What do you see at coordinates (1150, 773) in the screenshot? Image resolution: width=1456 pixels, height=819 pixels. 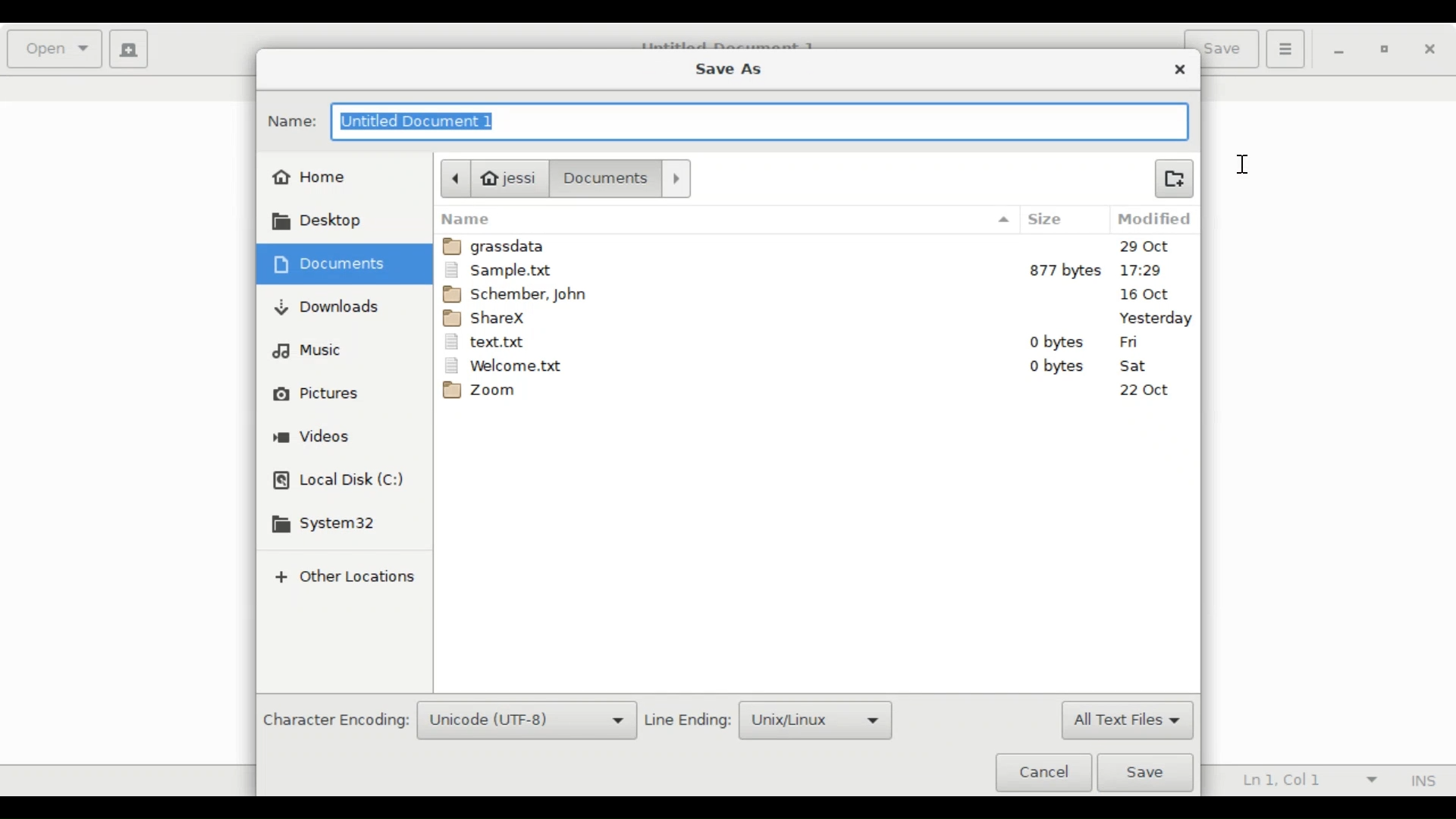 I see `Save` at bounding box center [1150, 773].